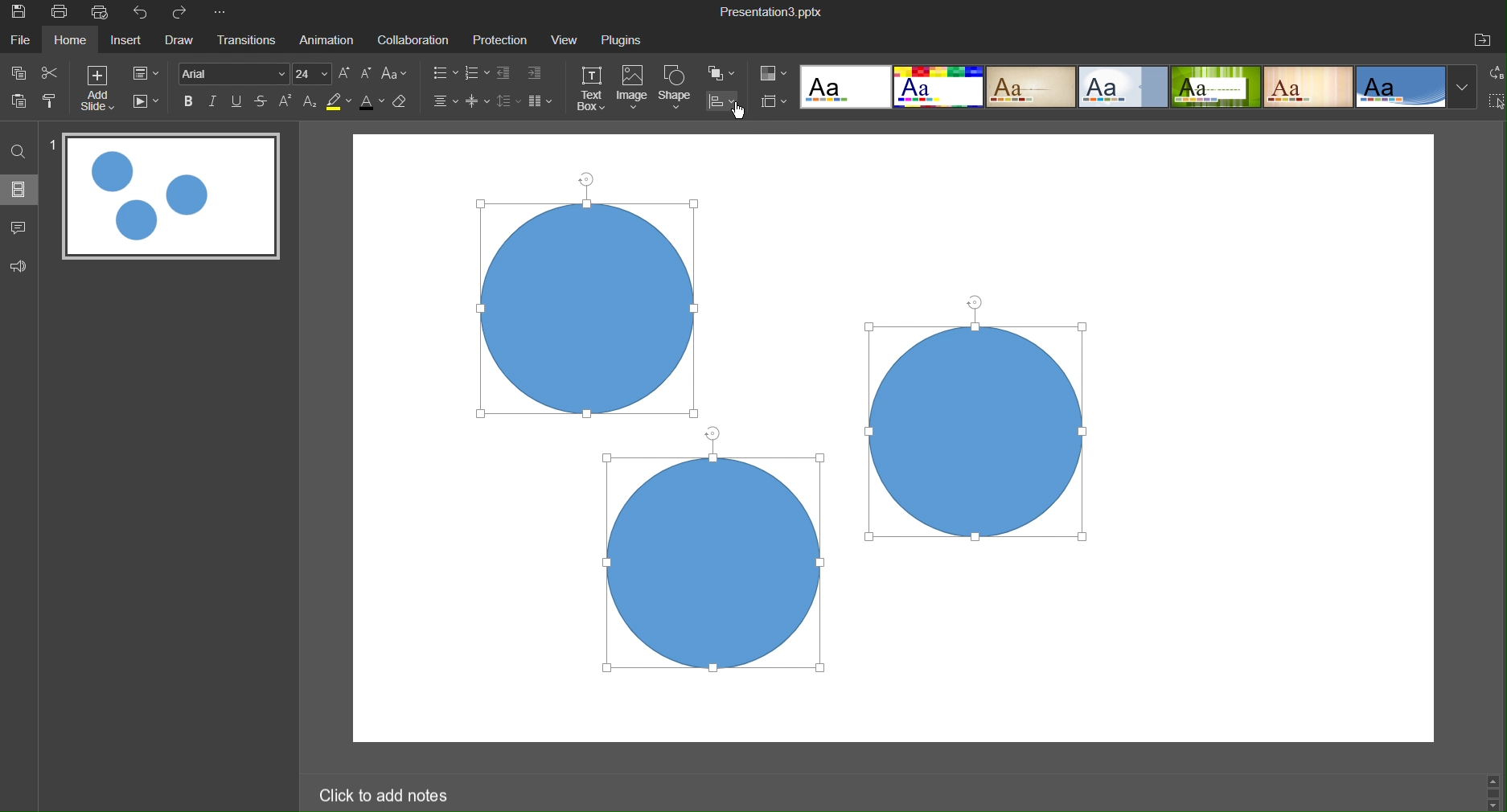  Describe the element at coordinates (18, 193) in the screenshot. I see `Slide` at that location.